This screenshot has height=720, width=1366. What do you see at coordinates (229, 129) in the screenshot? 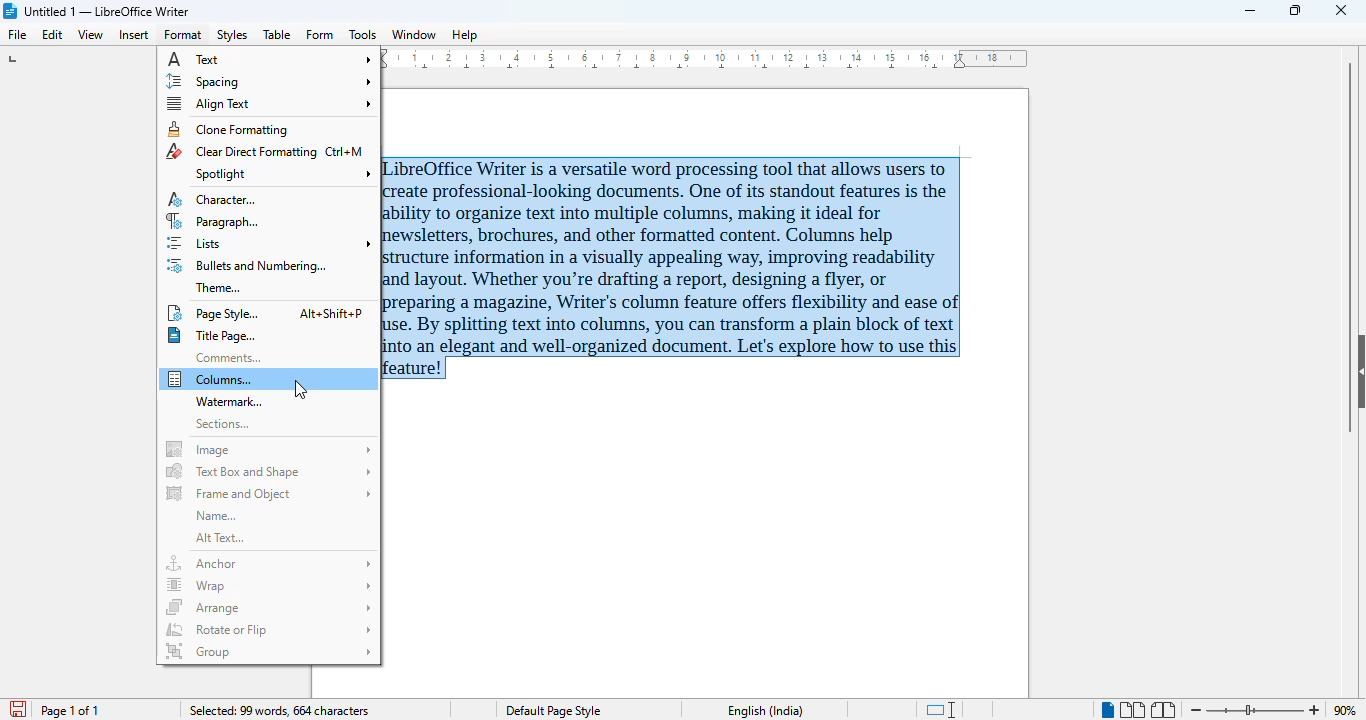
I see `clone formatting` at bounding box center [229, 129].